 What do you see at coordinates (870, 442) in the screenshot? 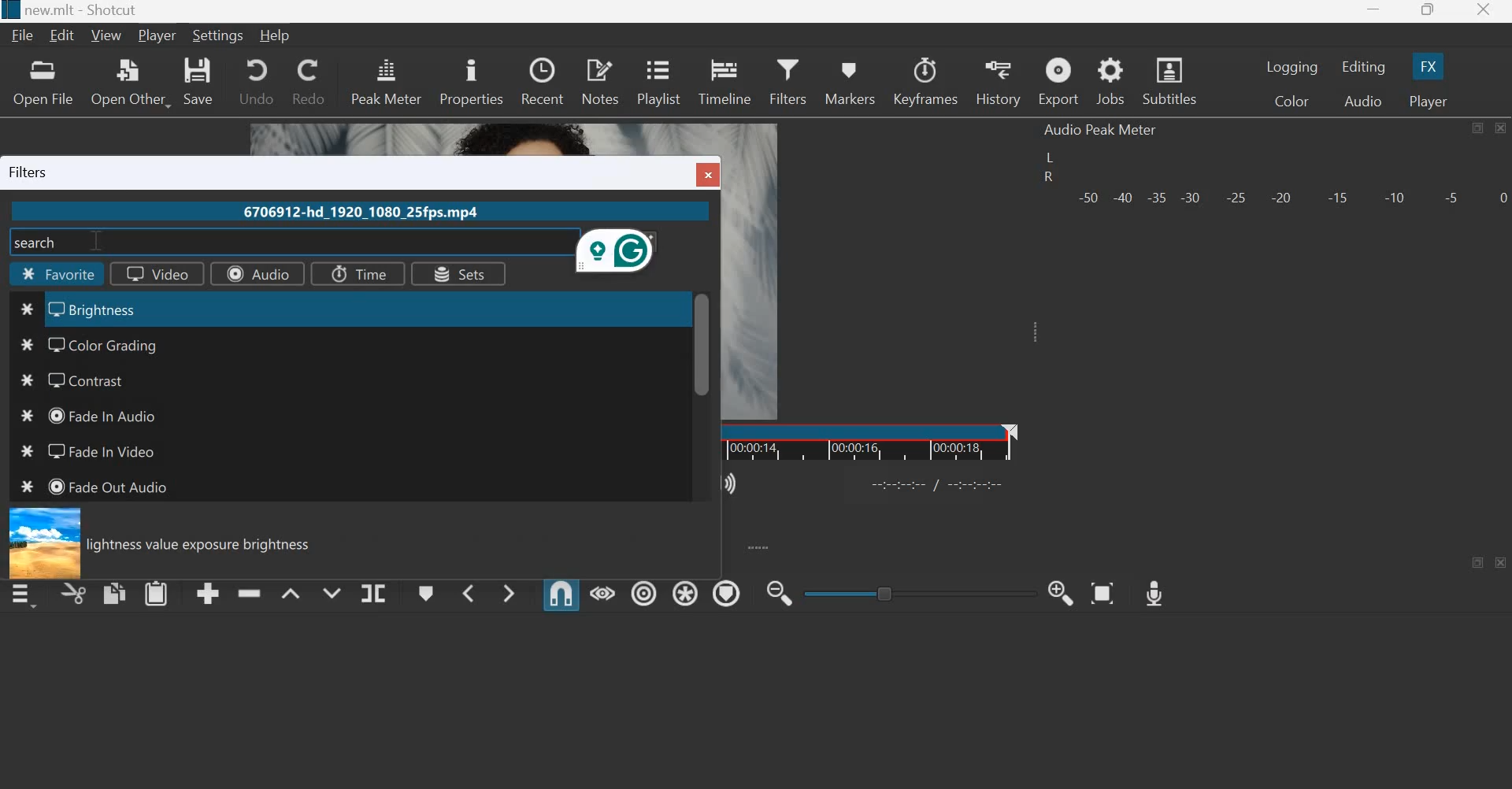
I see `Timeline ruler` at bounding box center [870, 442].